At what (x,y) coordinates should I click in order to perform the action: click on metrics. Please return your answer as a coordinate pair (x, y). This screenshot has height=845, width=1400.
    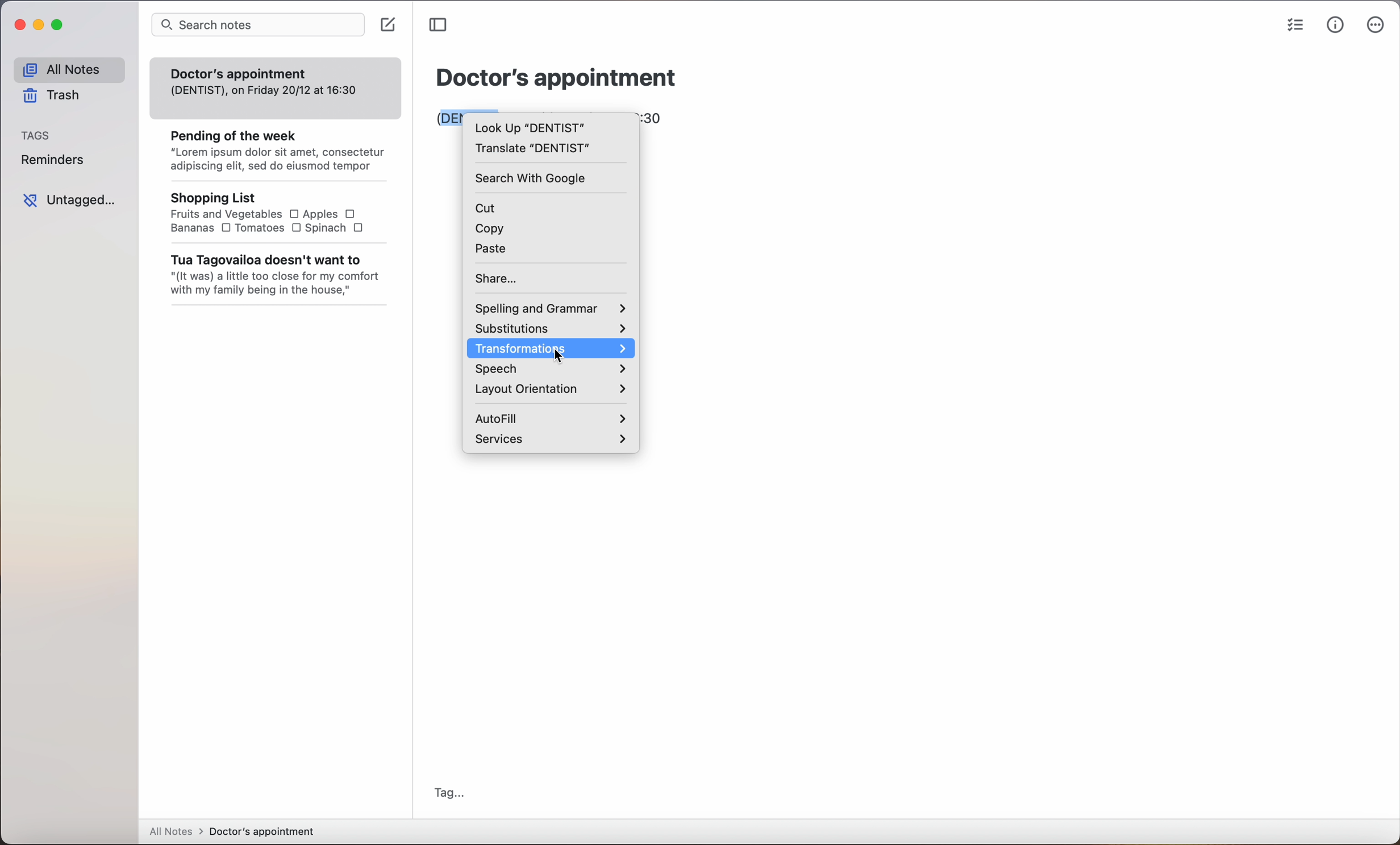
    Looking at the image, I should click on (1335, 26).